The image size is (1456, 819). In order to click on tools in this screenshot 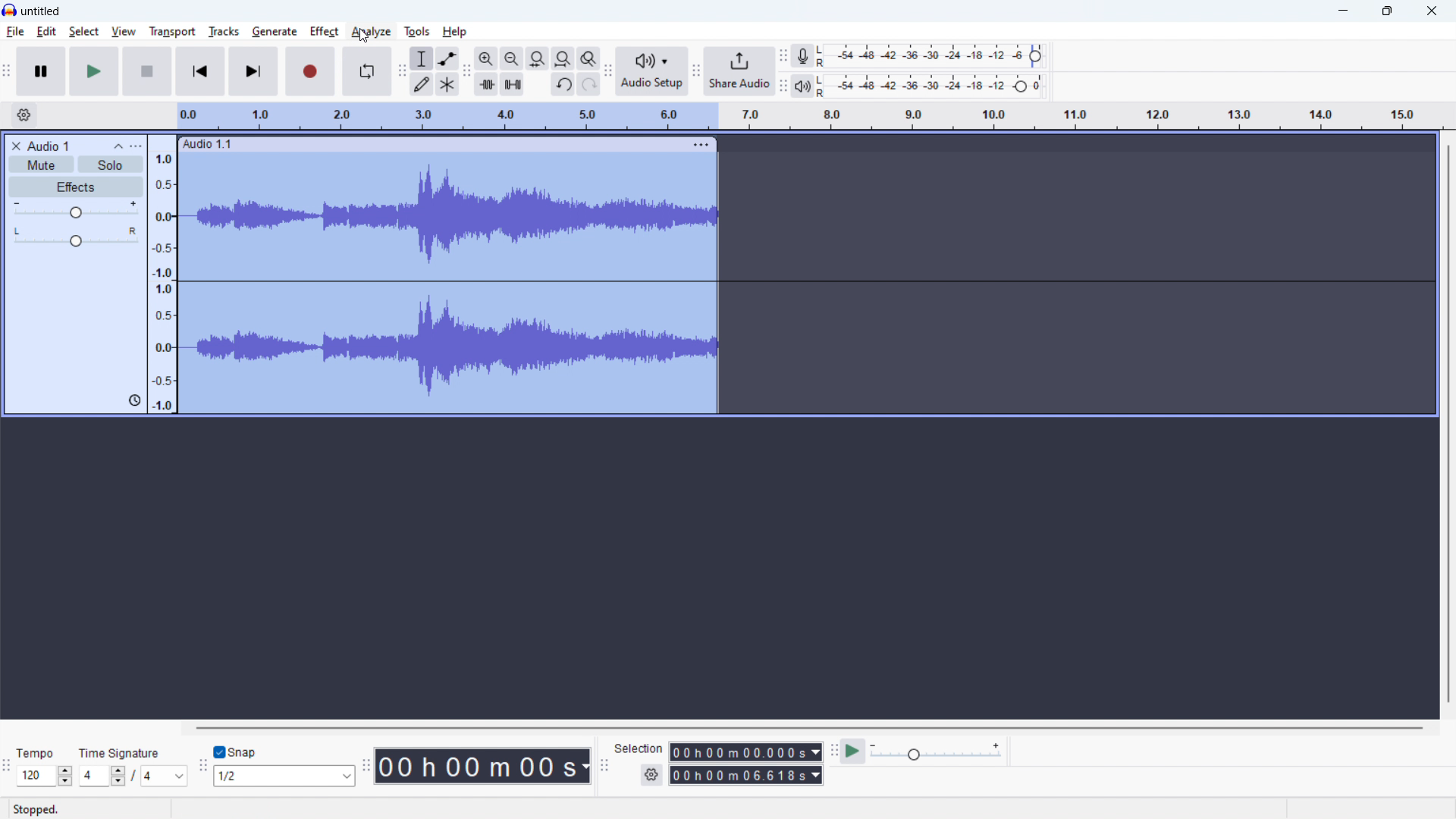, I will do `click(417, 31)`.